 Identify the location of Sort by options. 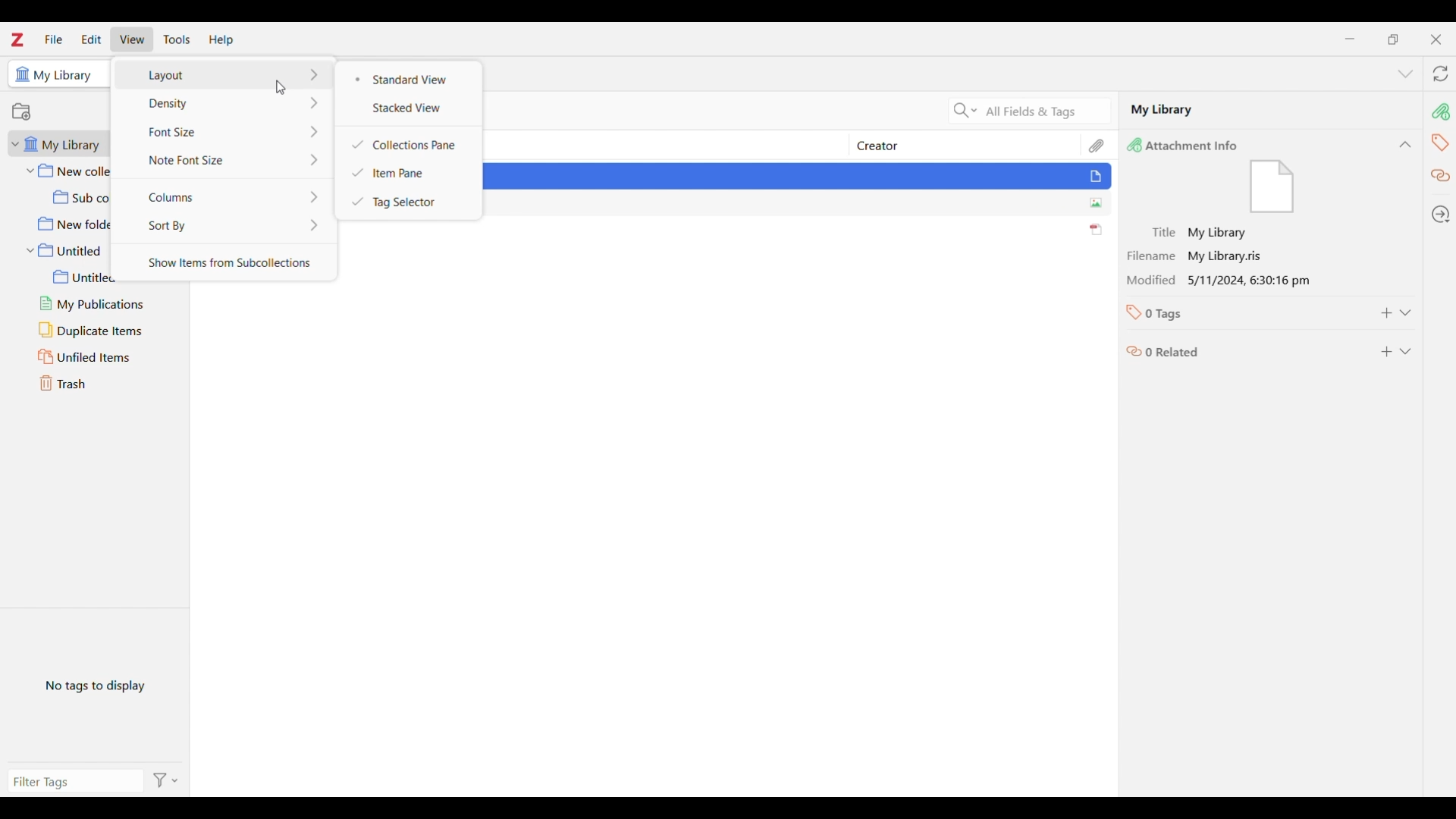
(224, 225).